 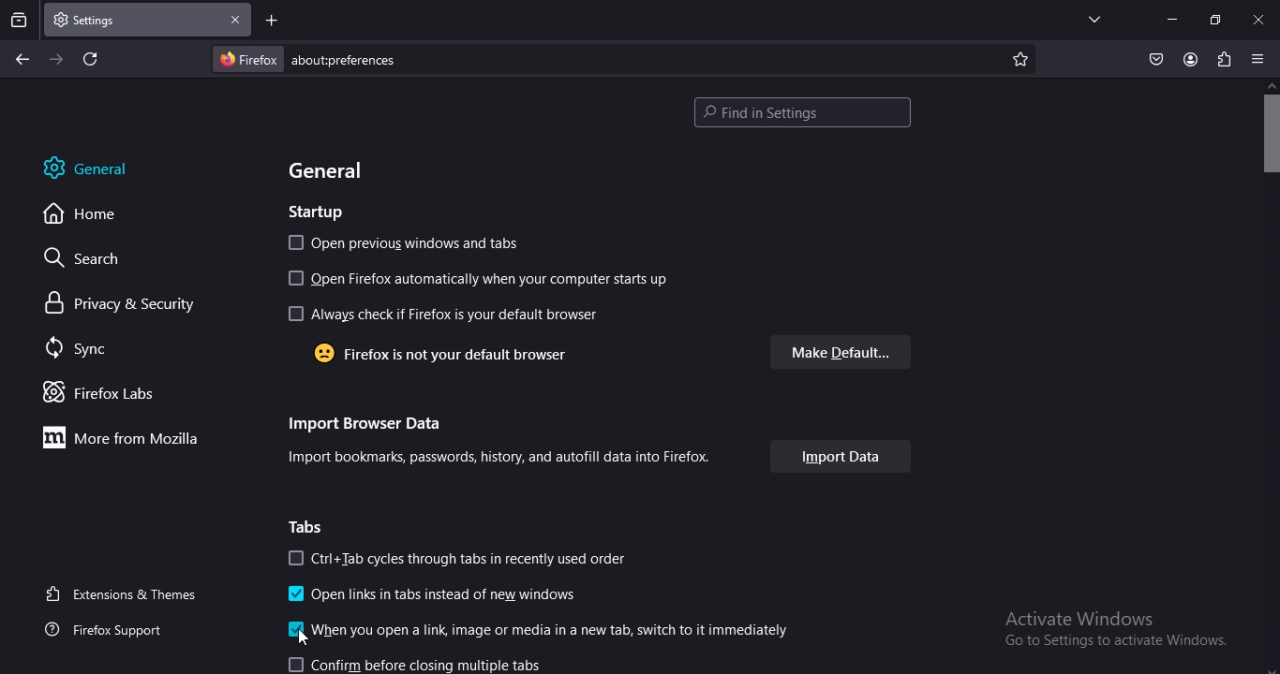 I want to click on import browser data, so click(x=373, y=425).